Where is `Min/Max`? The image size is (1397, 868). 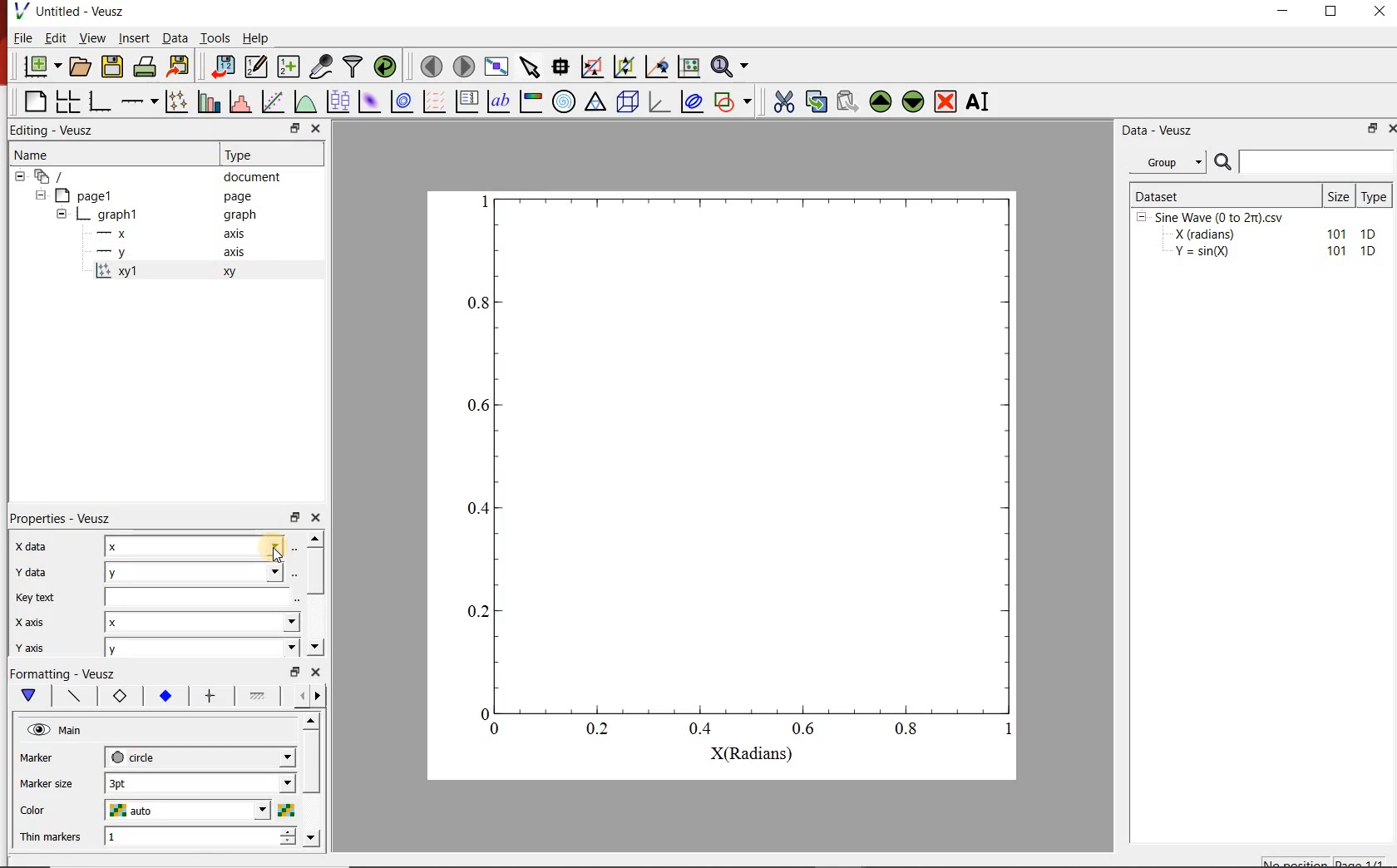 Min/Max is located at coordinates (1370, 130).